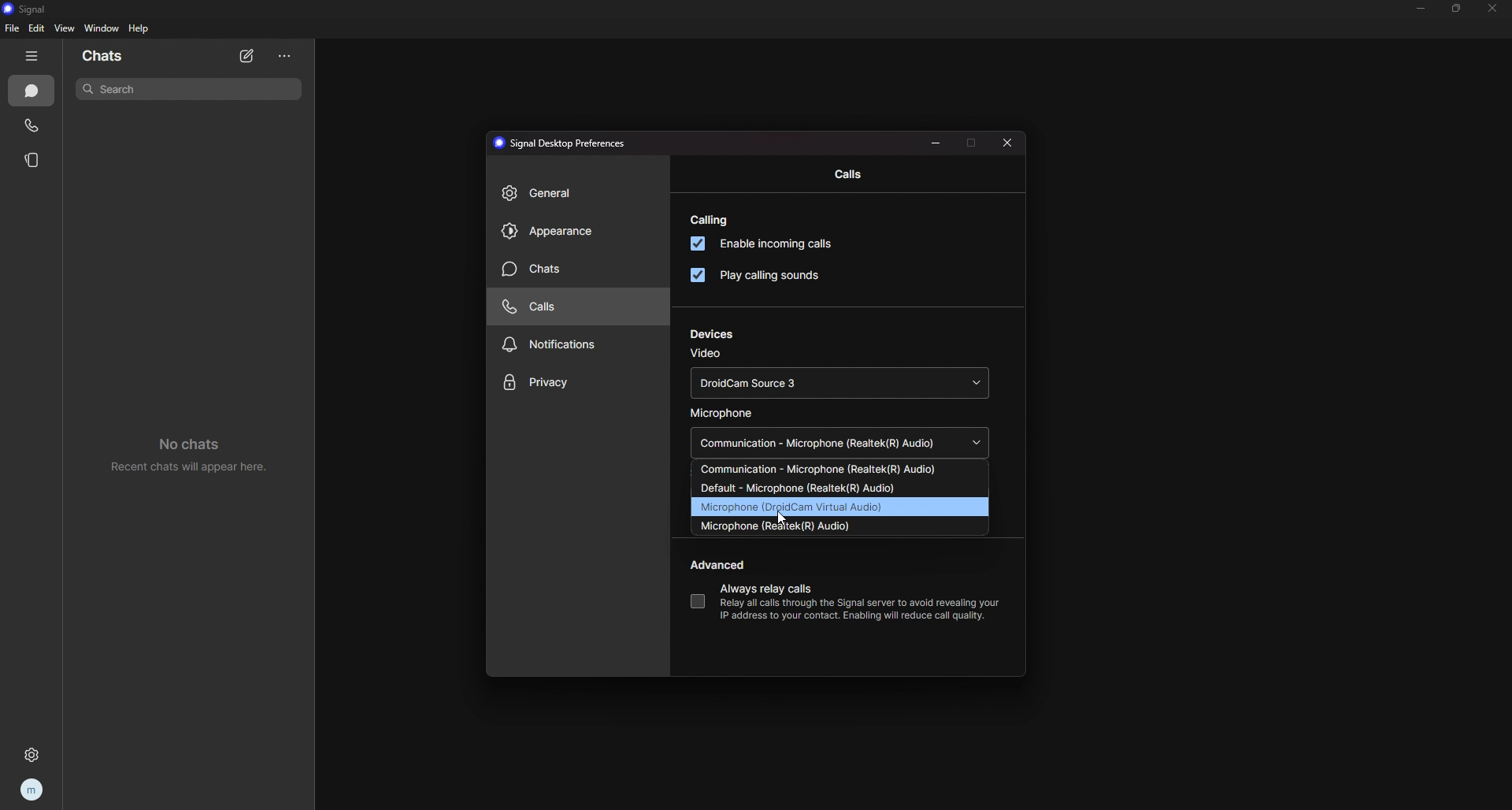 The height and width of the screenshot is (810, 1512). Describe the element at coordinates (579, 382) in the screenshot. I see `privacy` at that location.